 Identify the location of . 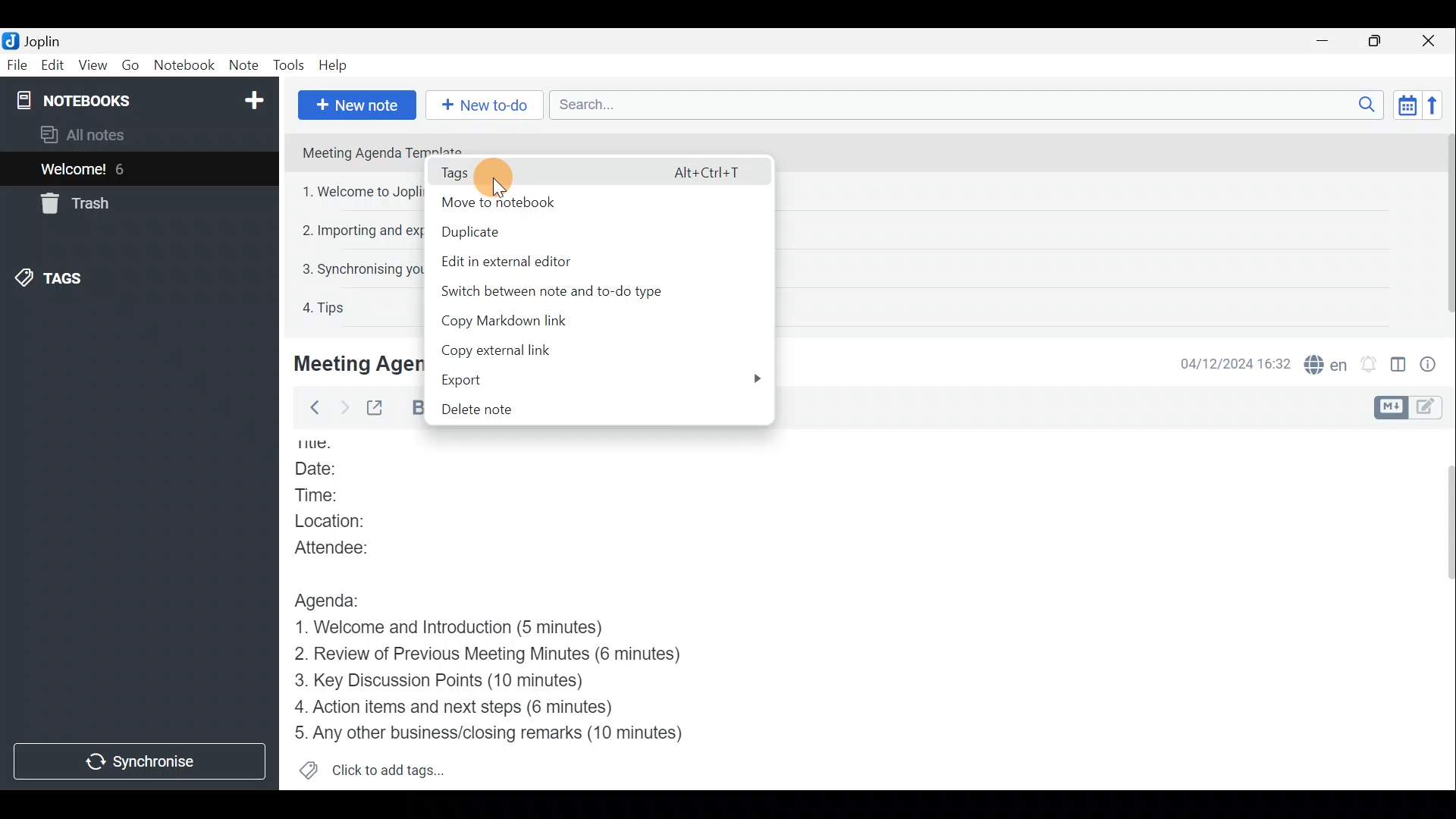
(329, 445).